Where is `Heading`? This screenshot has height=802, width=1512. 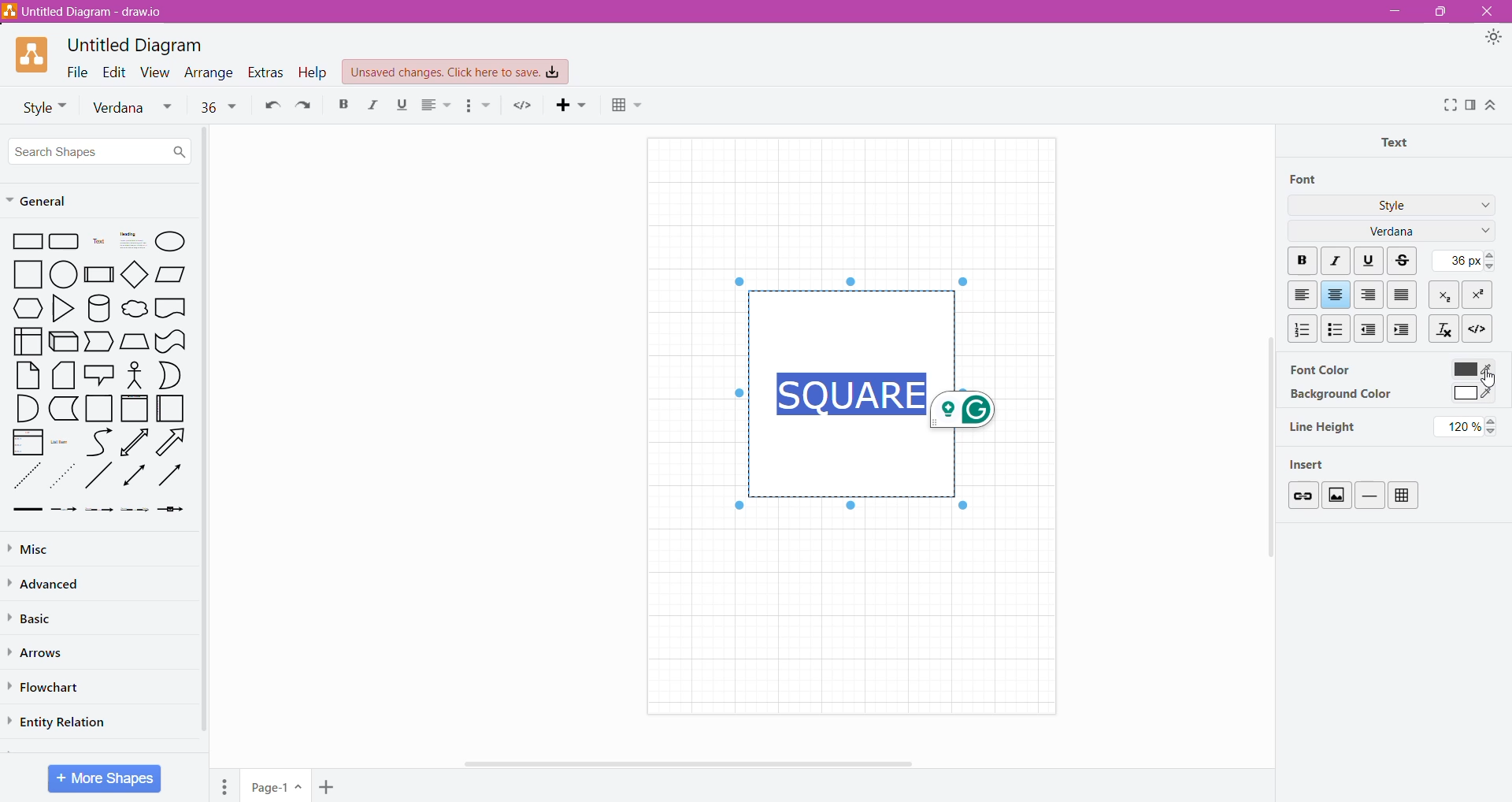 Heading is located at coordinates (132, 240).